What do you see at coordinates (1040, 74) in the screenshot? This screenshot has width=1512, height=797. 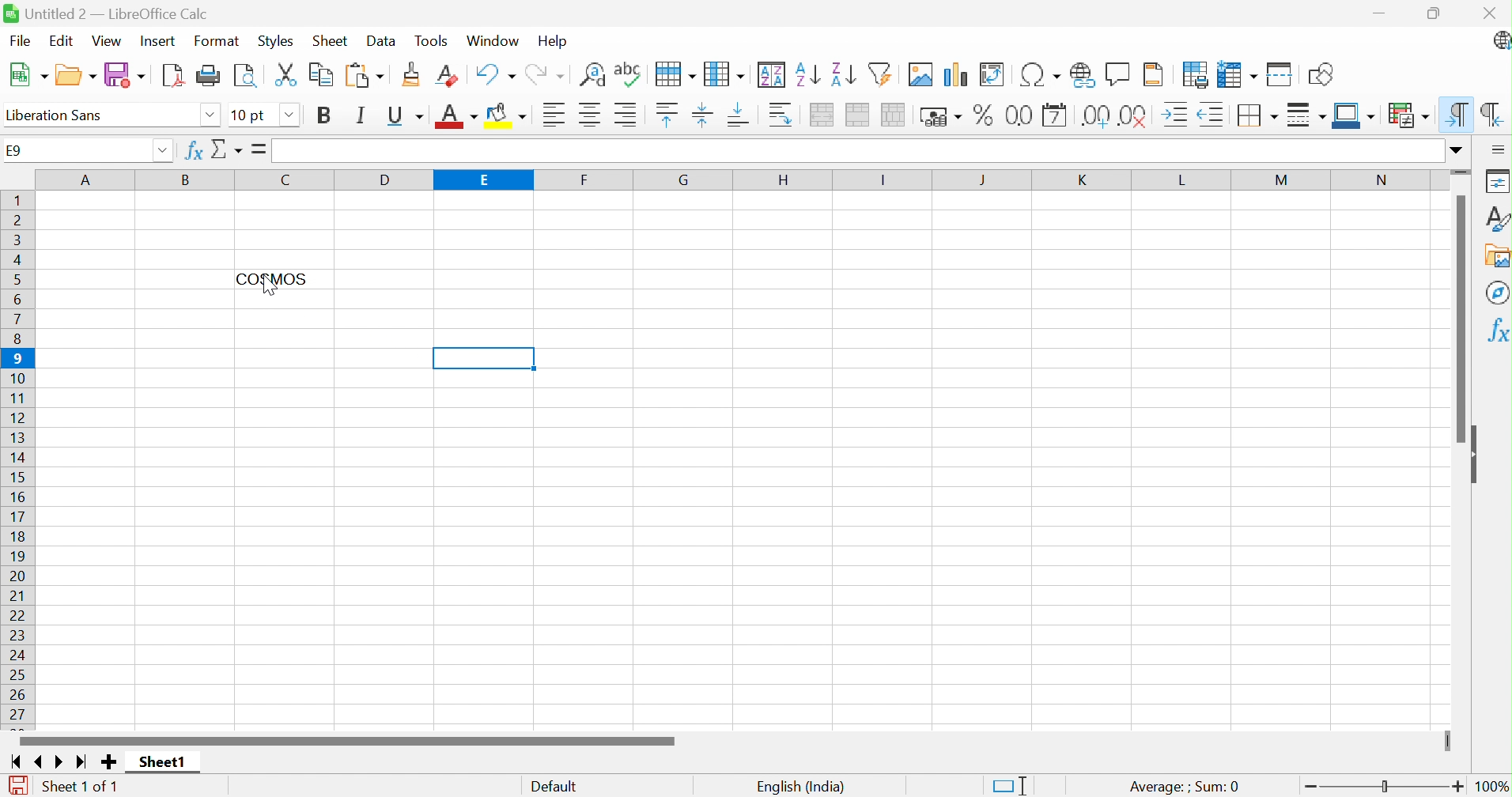 I see `Insert special characters` at bounding box center [1040, 74].